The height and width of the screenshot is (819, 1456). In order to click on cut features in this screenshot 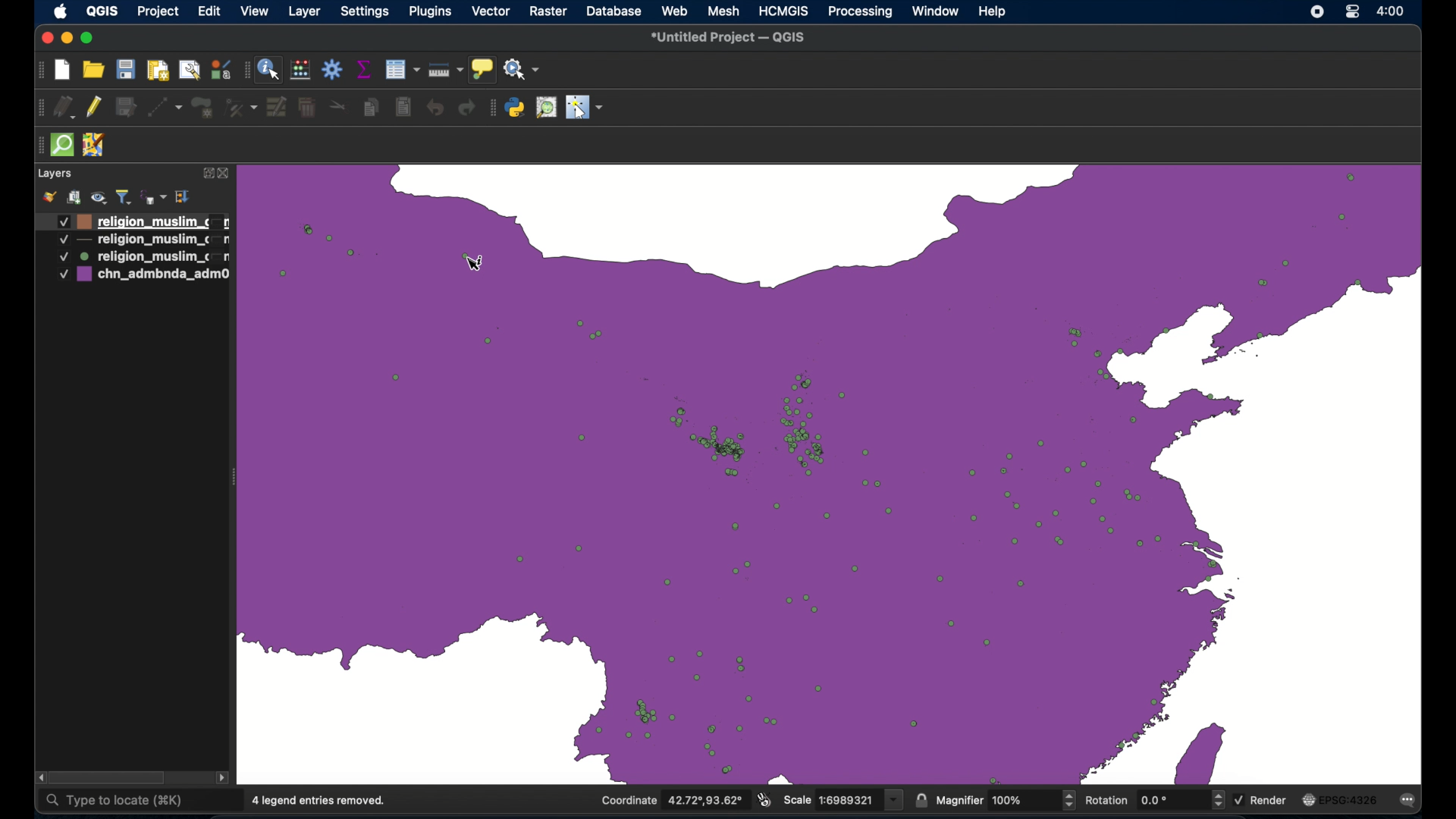, I will do `click(338, 106)`.